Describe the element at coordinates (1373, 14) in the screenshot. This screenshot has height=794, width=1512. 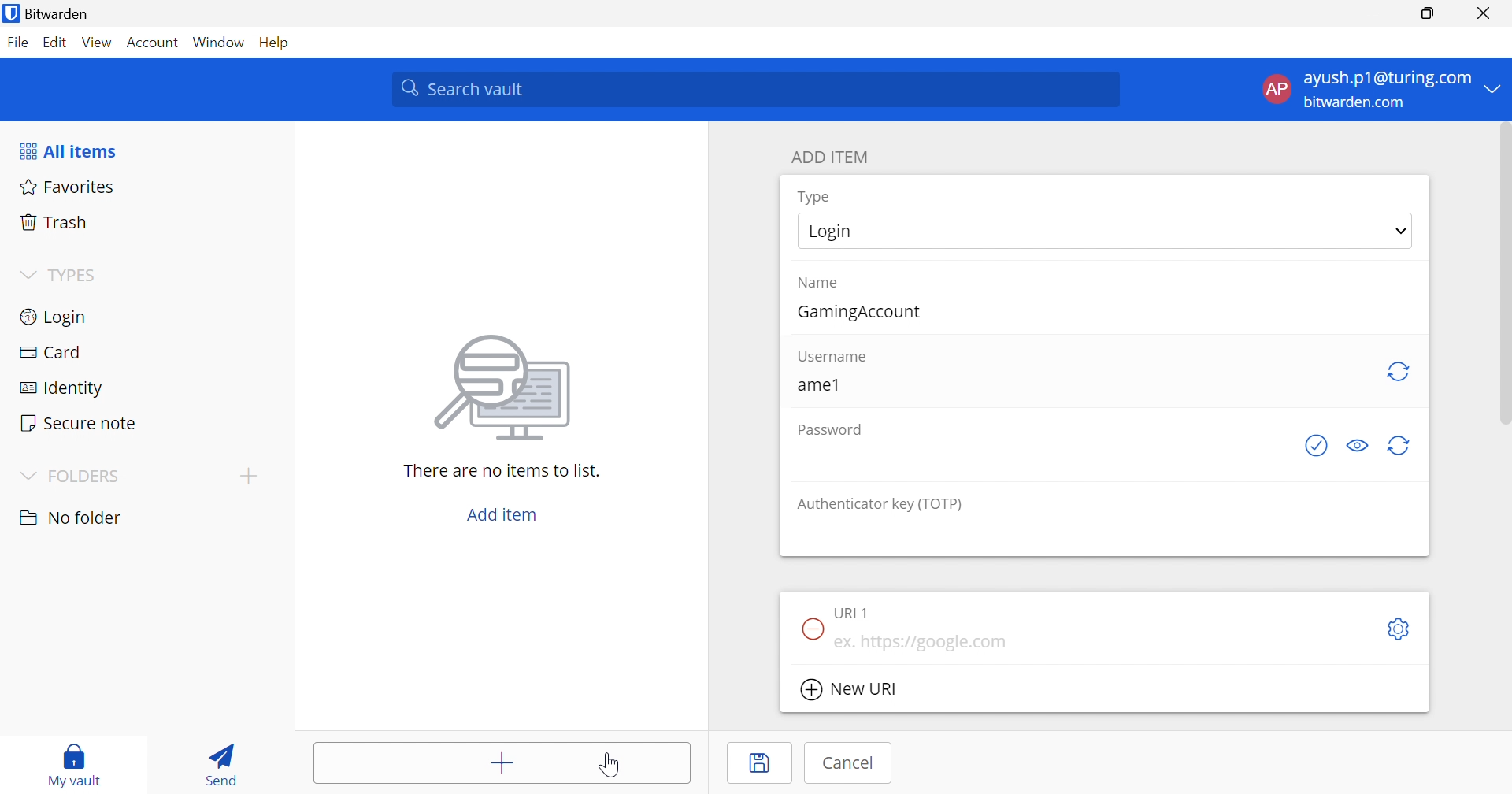
I see `Minimize` at that location.